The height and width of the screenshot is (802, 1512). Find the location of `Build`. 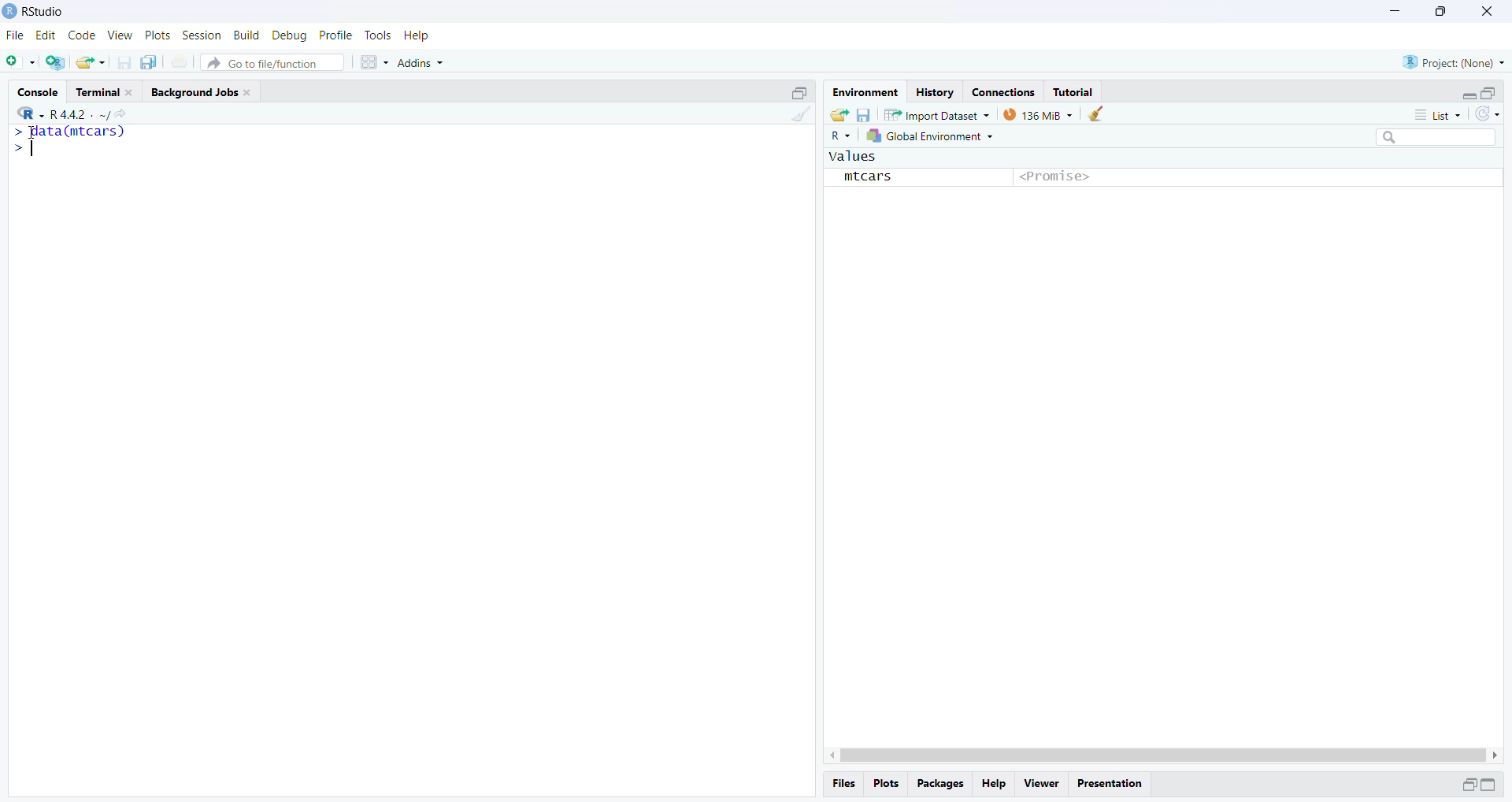

Build is located at coordinates (248, 35).